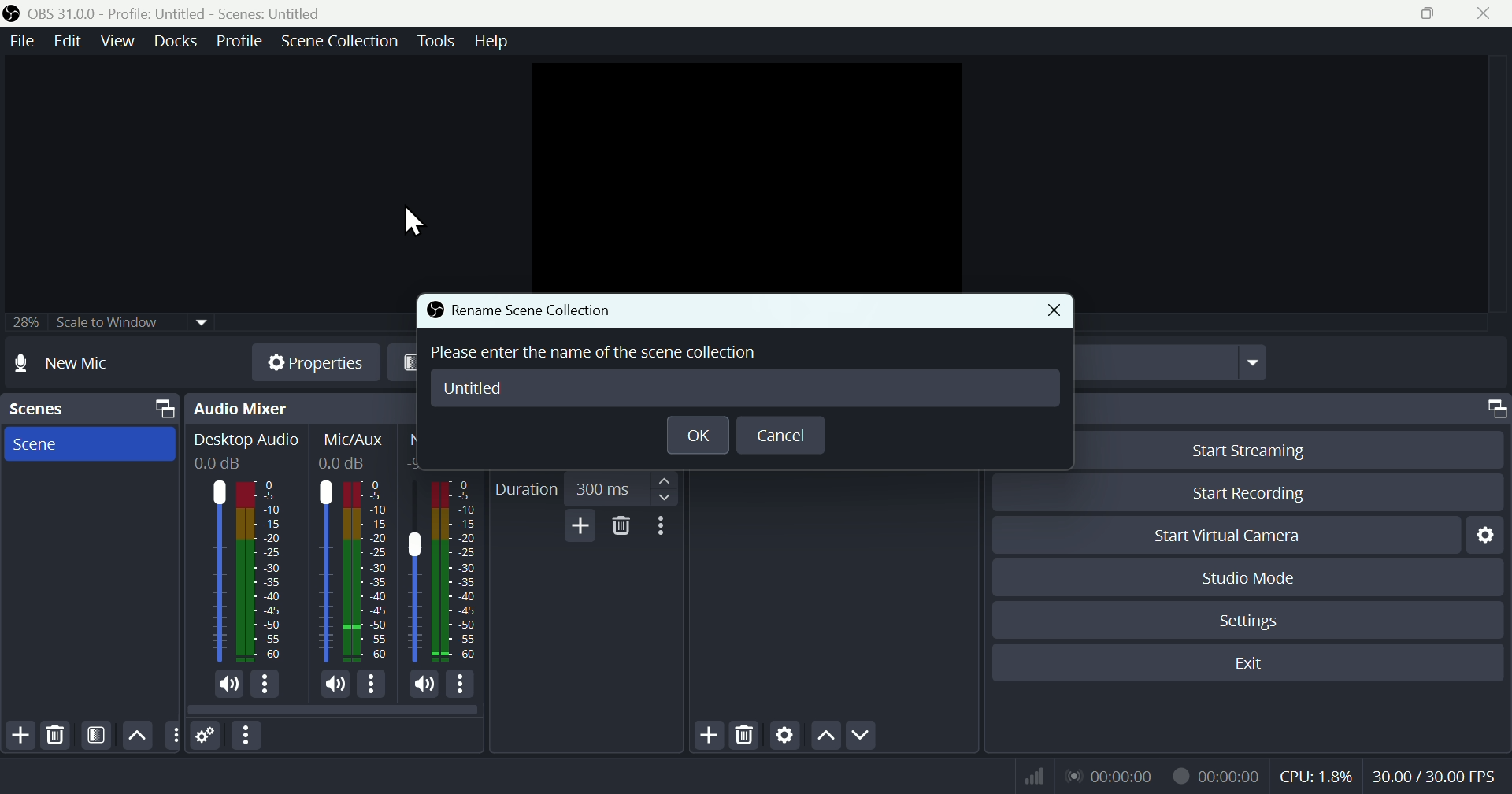 This screenshot has width=1512, height=794. What do you see at coordinates (1266, 580) in the screenshot?
I see `Studio mode` at bounding box center [1266, 580].